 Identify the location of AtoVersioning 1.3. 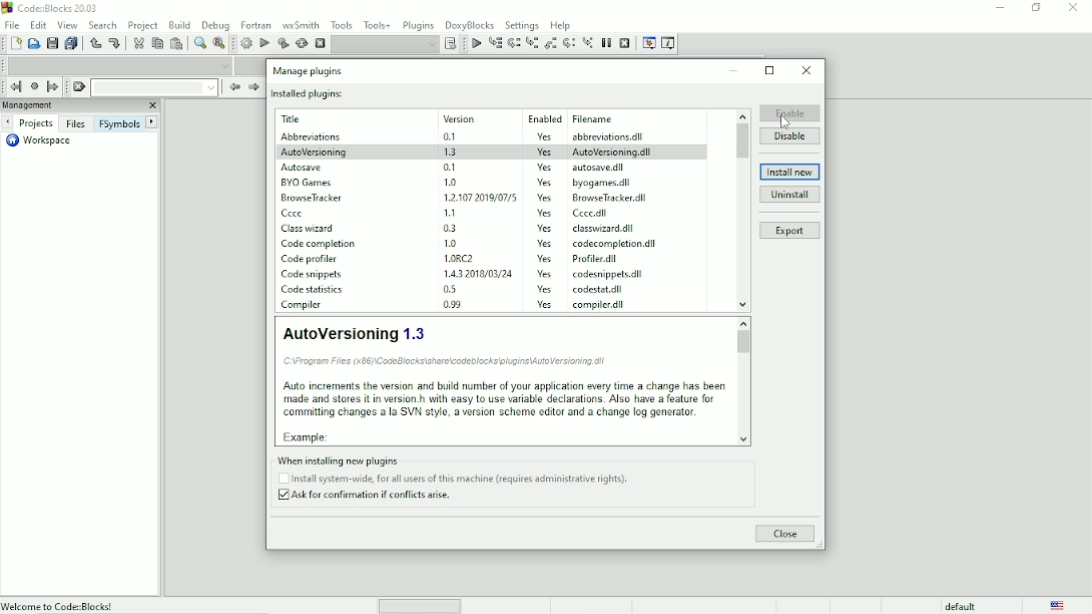
(502, 381).